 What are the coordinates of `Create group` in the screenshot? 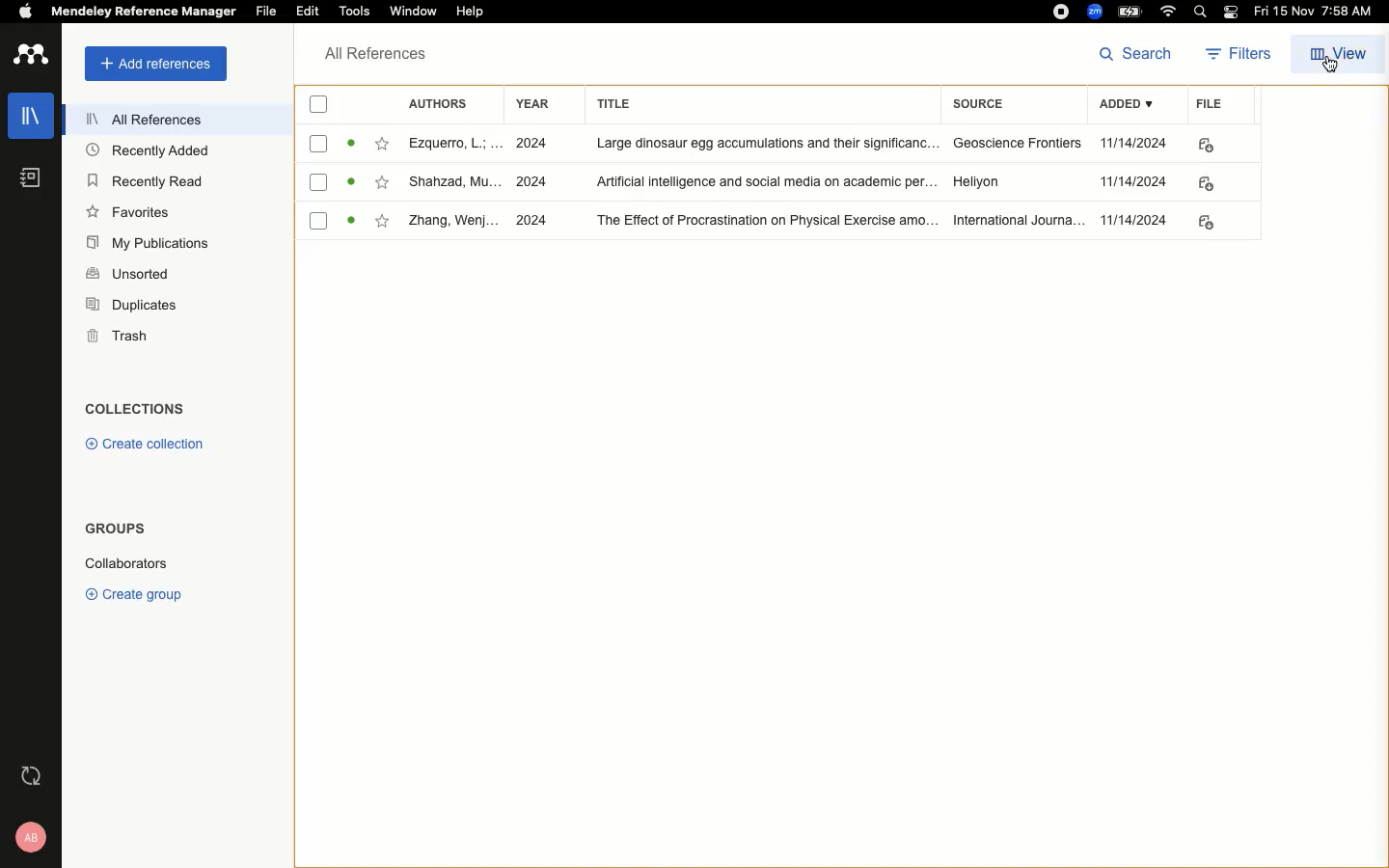 It's located at (133, 591).